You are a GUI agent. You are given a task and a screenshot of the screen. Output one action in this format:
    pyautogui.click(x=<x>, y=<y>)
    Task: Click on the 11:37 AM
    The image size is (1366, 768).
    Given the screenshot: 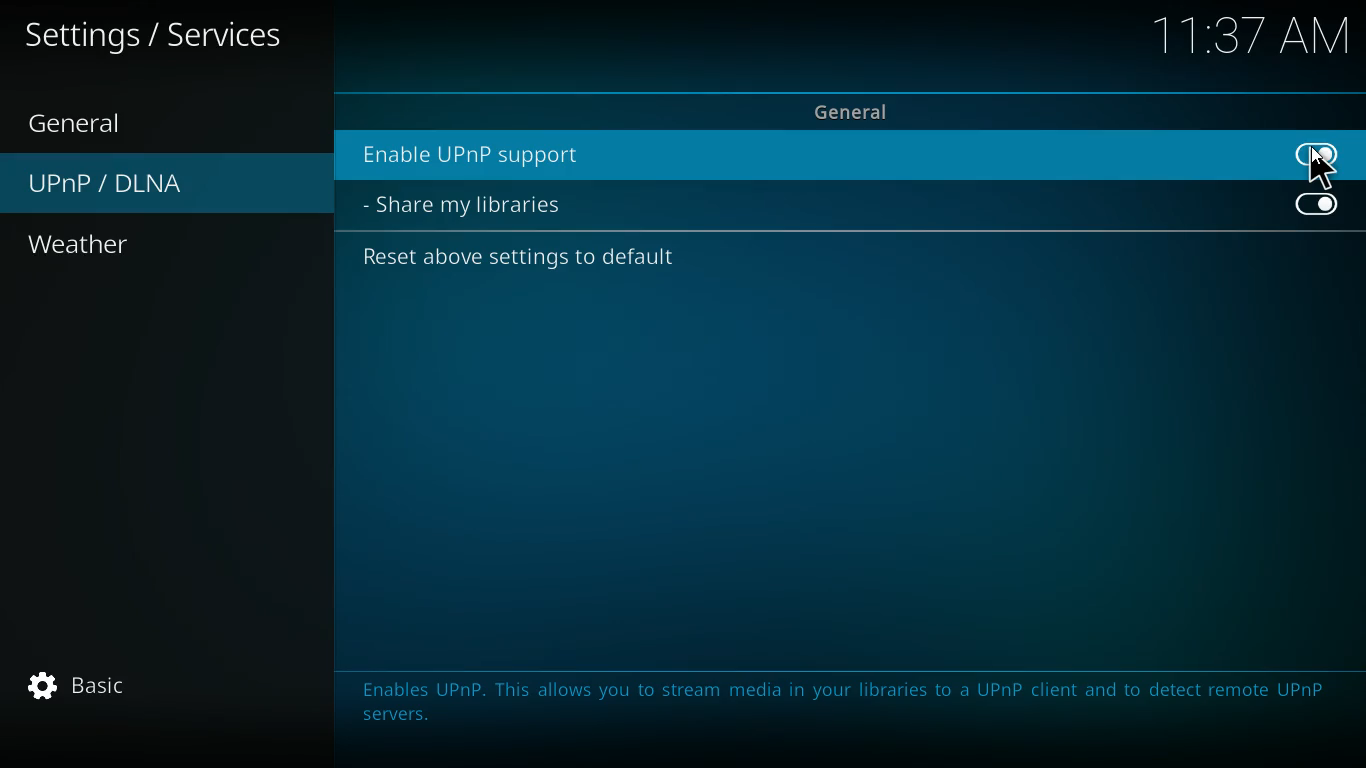 What is the action you would take?
    pyautogui.click(x=1254, y=38)
    